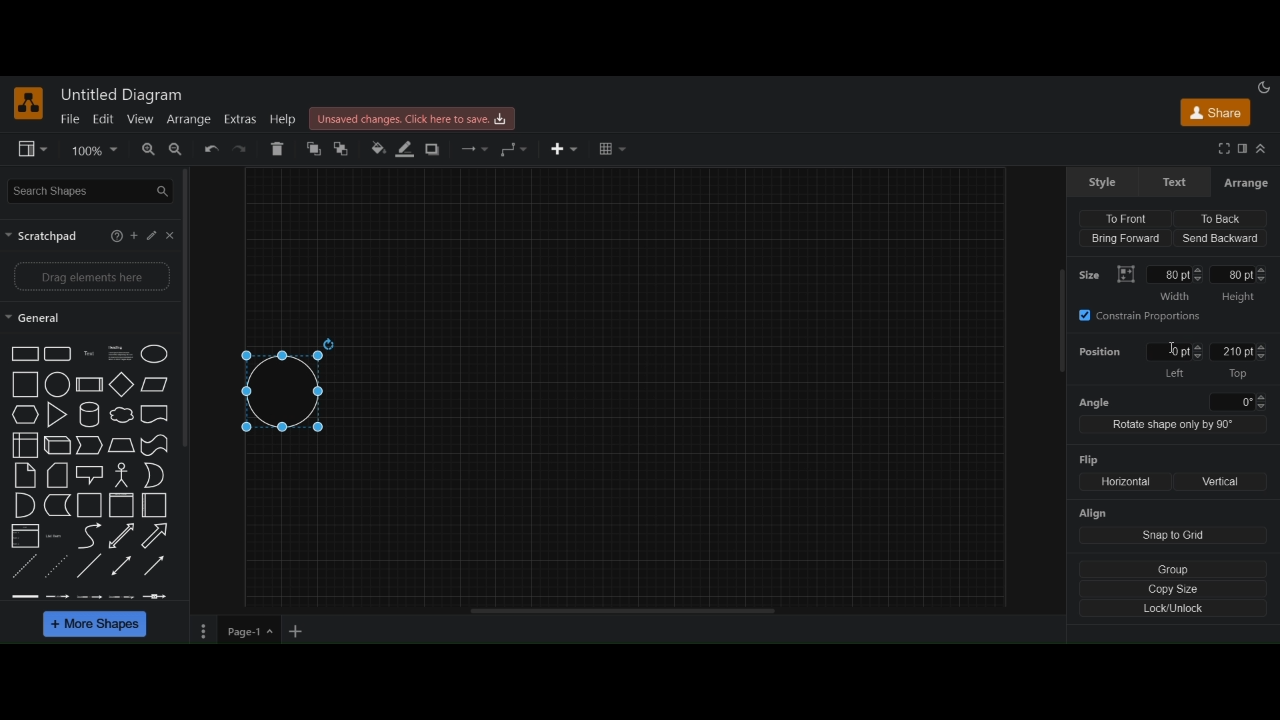 The height and width of the screenshot is (720, 1280). Describe the element at coordinates (122, 536) in the screenshot. I see `tilt arrow` at that location.